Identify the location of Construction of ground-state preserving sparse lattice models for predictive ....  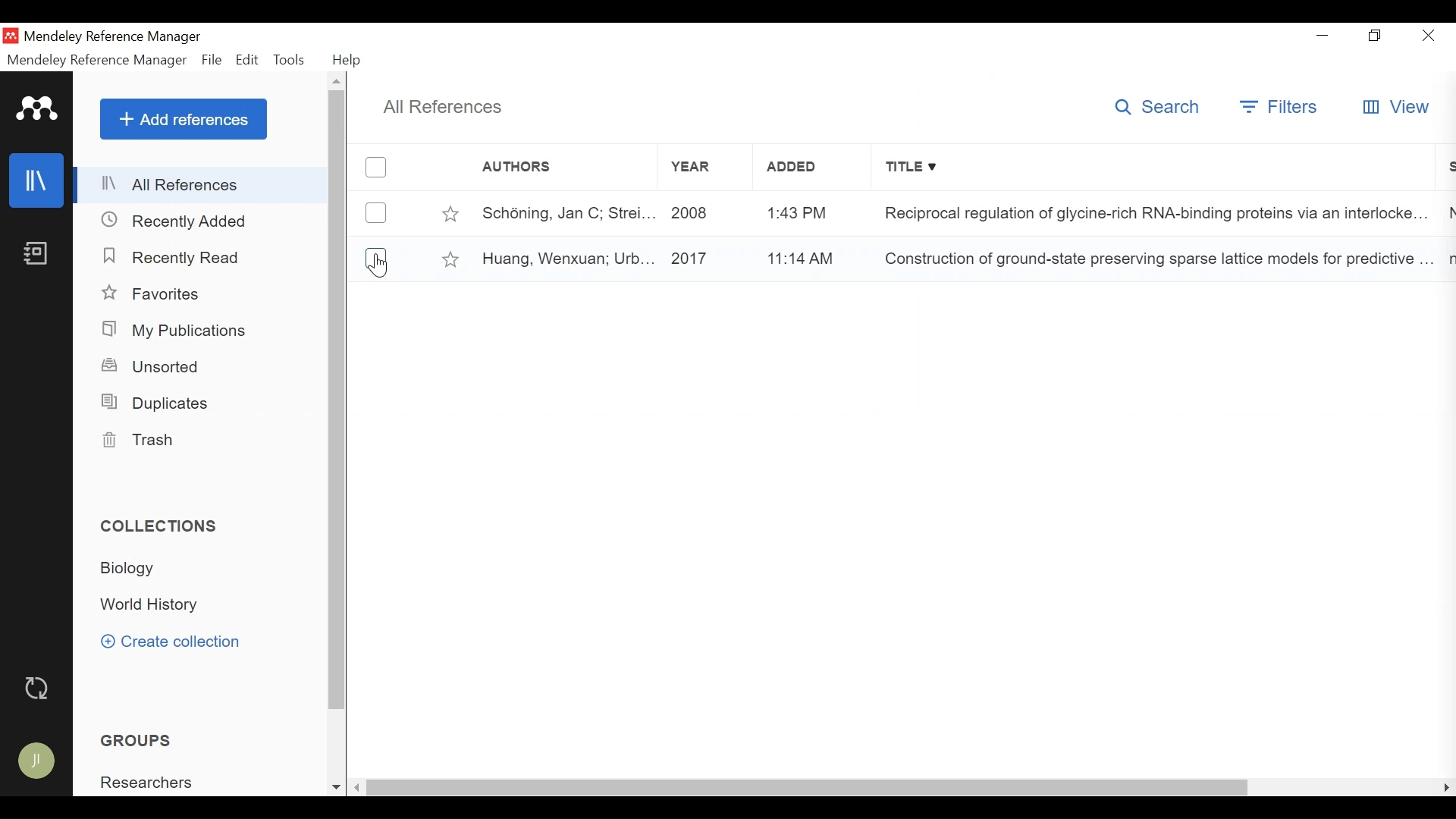
(1148, 260).